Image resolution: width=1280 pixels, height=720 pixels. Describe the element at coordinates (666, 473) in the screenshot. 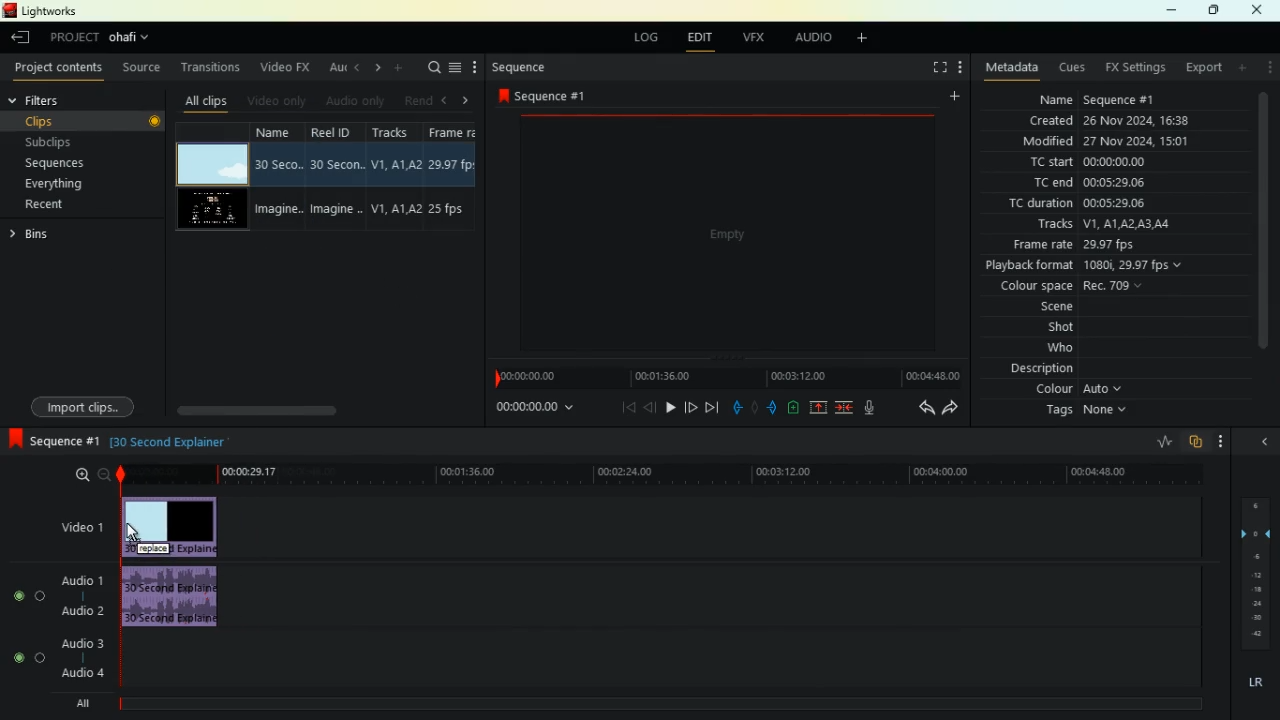

I see `timeline` at that location.